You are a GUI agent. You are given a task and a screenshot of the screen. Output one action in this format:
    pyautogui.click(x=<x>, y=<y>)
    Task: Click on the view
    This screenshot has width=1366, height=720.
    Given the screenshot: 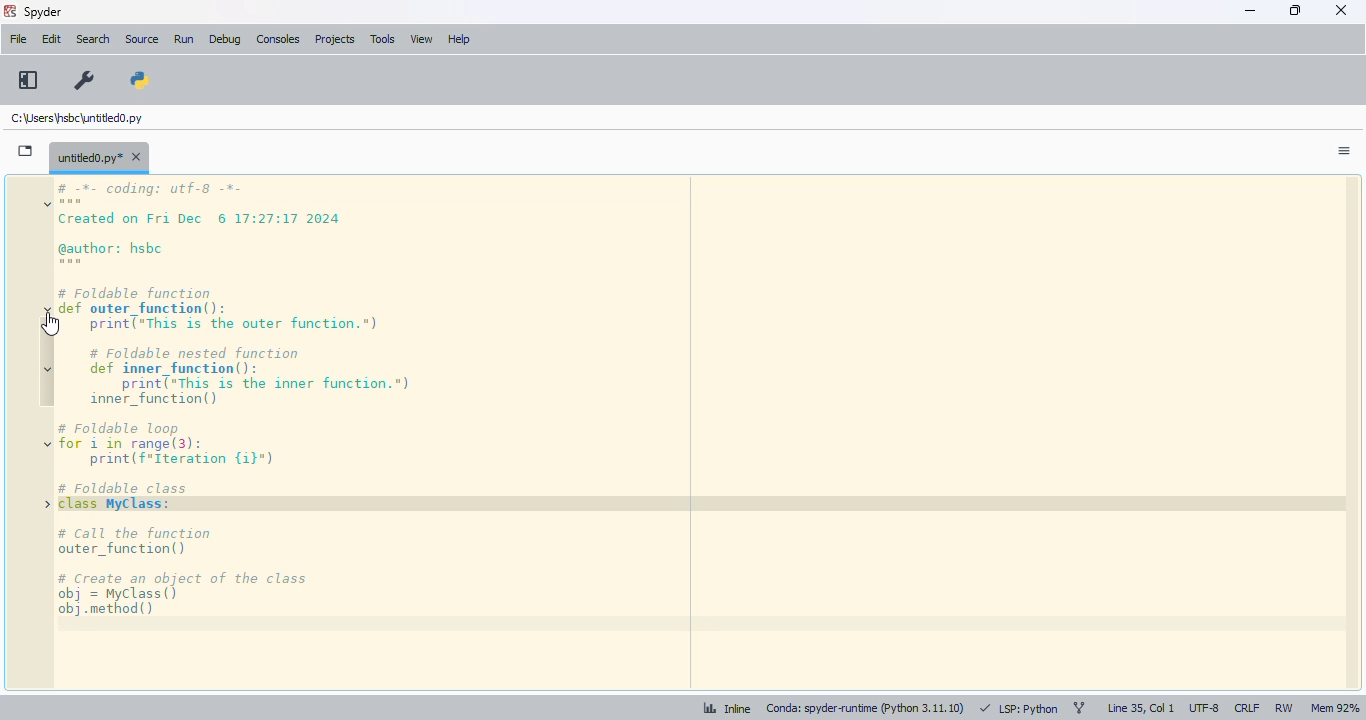 What is the action you would take?
    pyautogui.click(x=422, y=39)
    